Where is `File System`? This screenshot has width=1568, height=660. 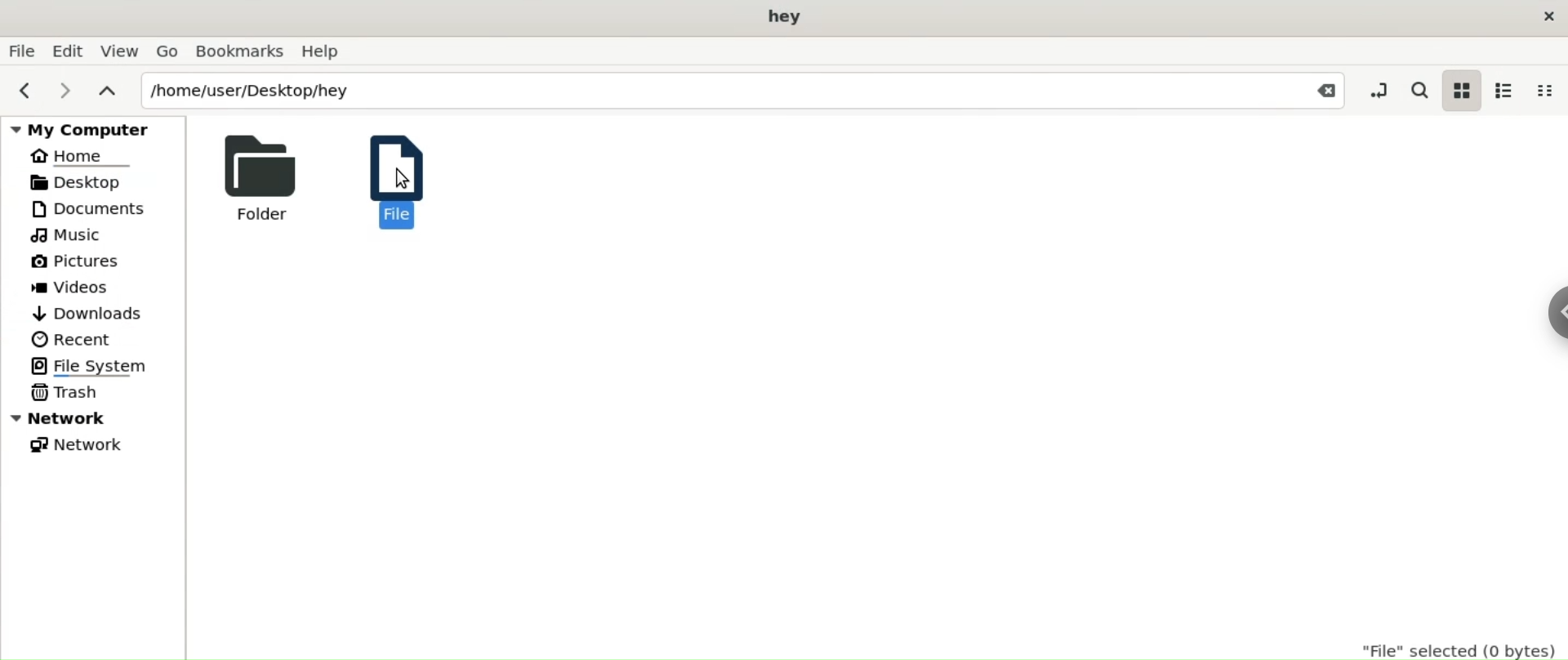 File System is located at coordinates (100, 364).